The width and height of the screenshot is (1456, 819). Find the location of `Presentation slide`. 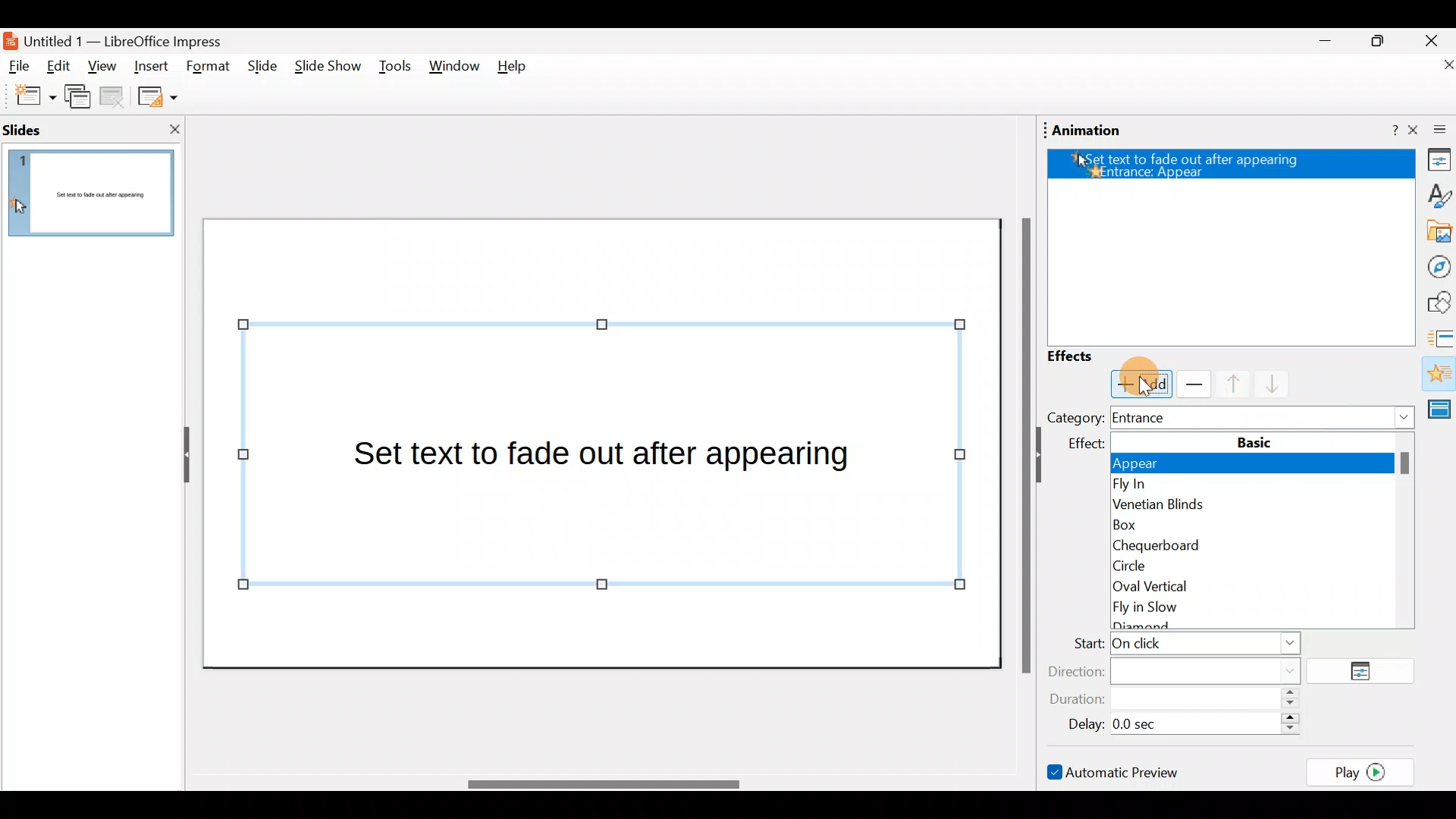

Presentation slide is located at coordinates (605, 442).